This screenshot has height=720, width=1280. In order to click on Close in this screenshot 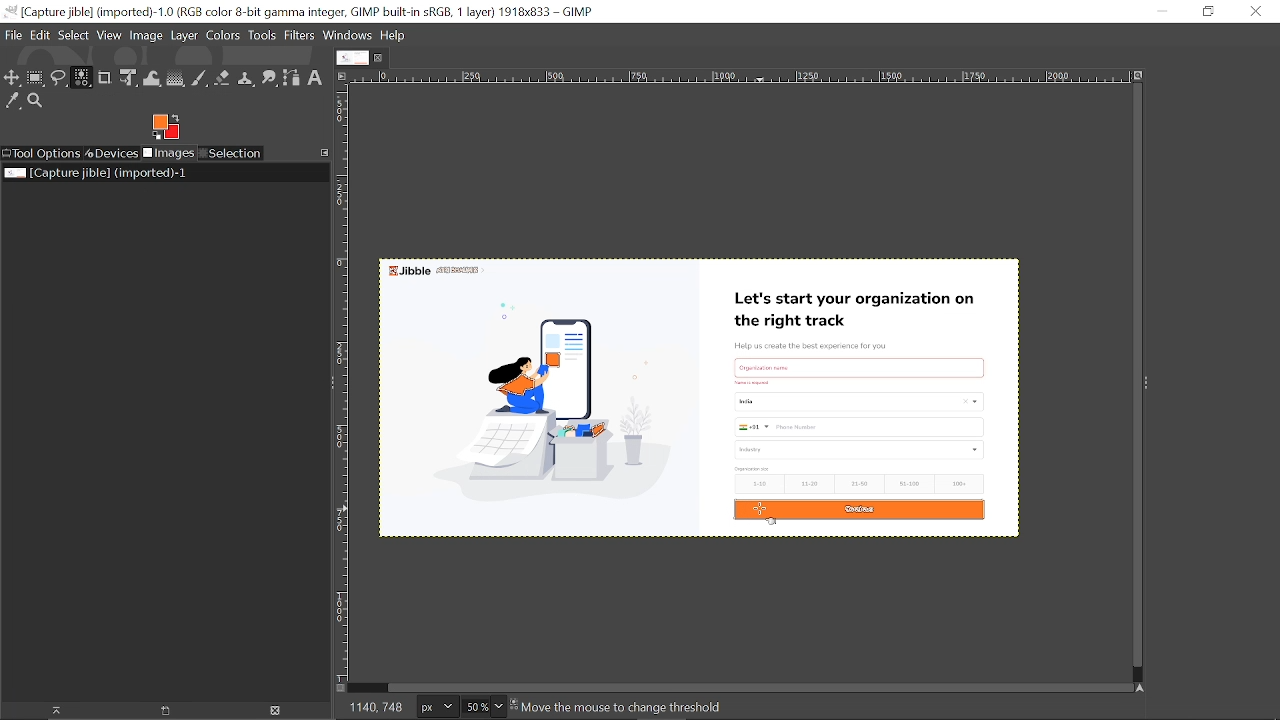, I will do `click(1255, 12)`.